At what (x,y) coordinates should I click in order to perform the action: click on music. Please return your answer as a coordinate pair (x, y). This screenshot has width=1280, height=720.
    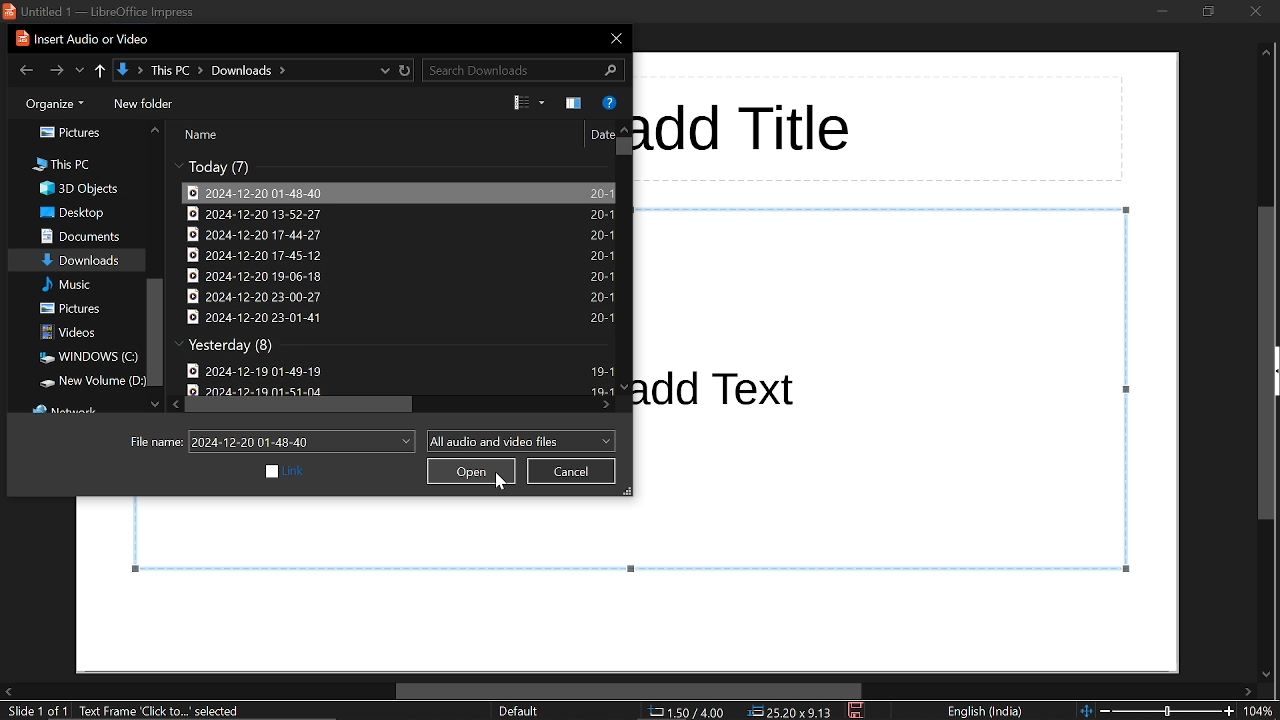
    Looking at the image, I should click on (83, 285).